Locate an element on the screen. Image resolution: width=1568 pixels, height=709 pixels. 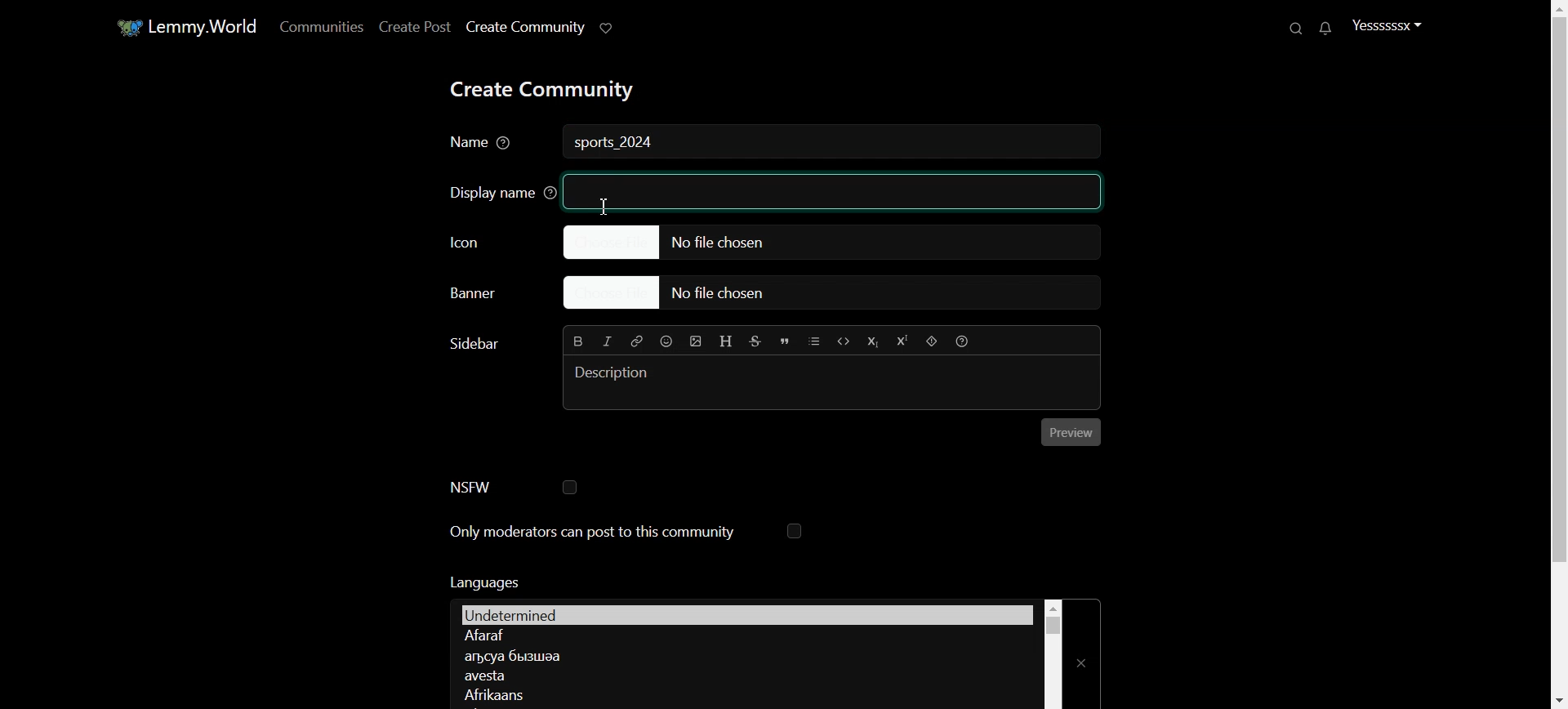
Languages is located at coordinates (746, 613).